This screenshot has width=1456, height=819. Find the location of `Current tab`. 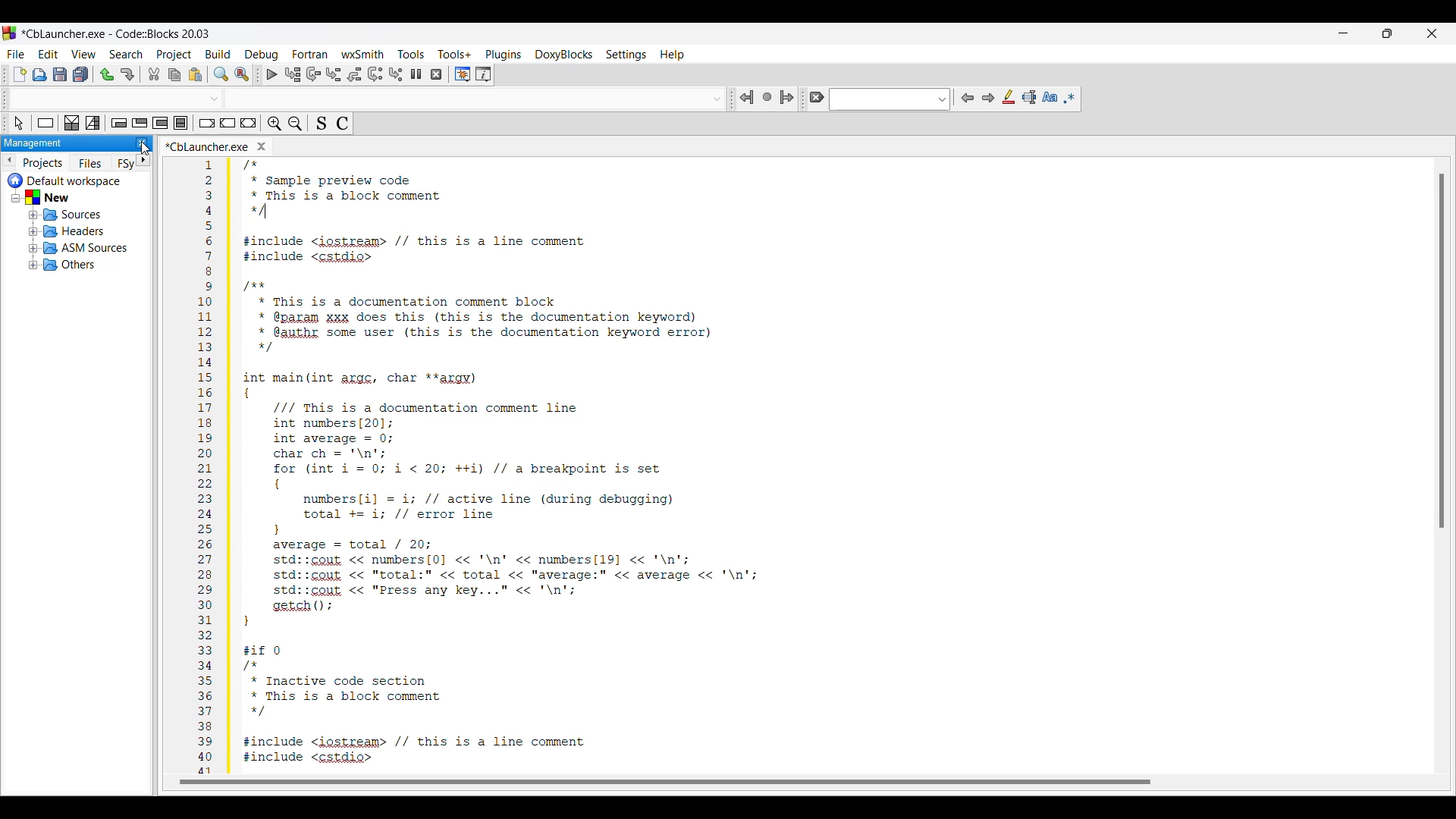

Current tab is located at coordinates (208, 146).